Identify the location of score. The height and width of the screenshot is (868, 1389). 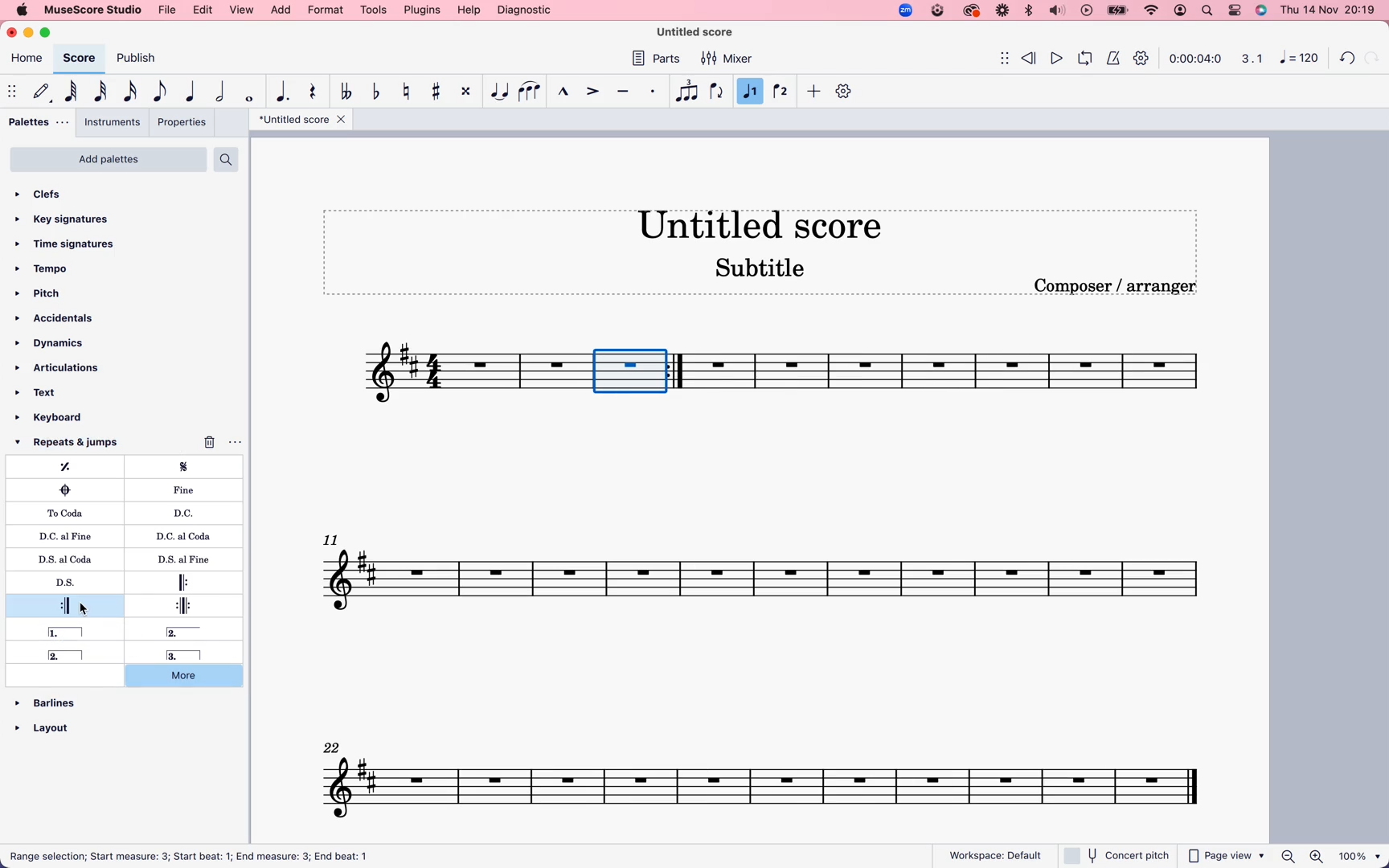
(769, 776).